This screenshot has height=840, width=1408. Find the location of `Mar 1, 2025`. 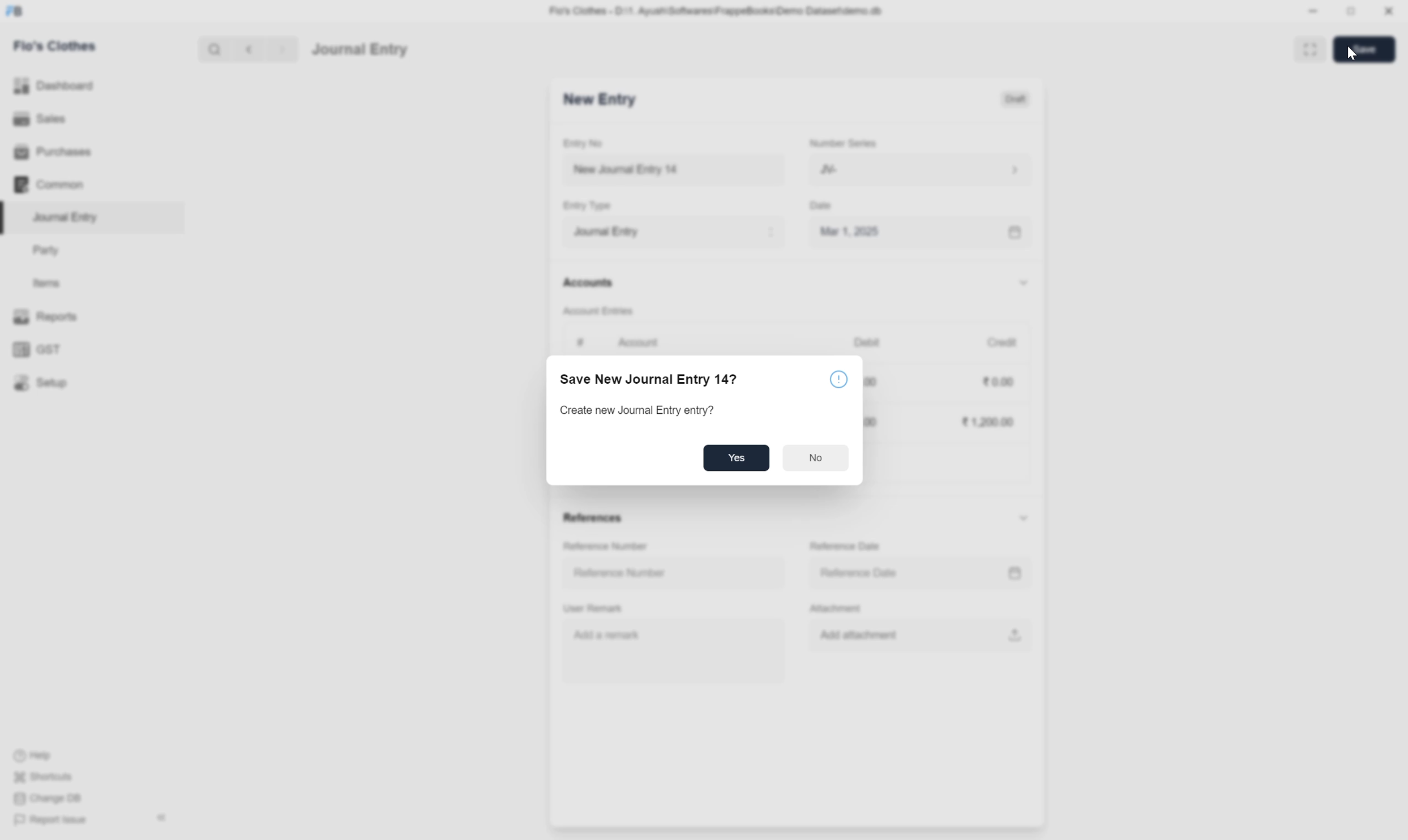

Mar 1, 2025 is located at coordinates (850, 231).